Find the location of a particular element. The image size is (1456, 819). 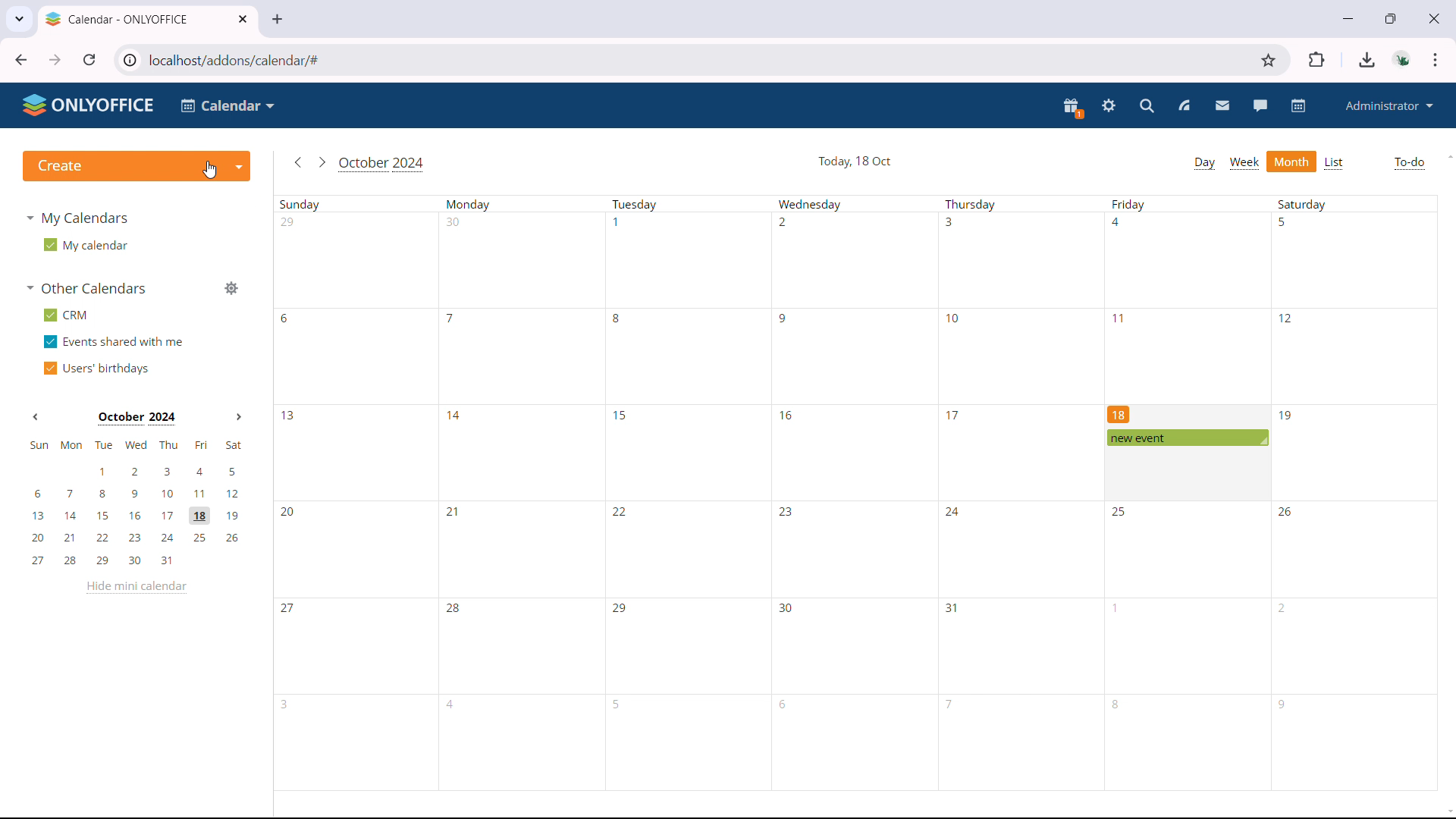

close is located at coordinates (1432, 17).